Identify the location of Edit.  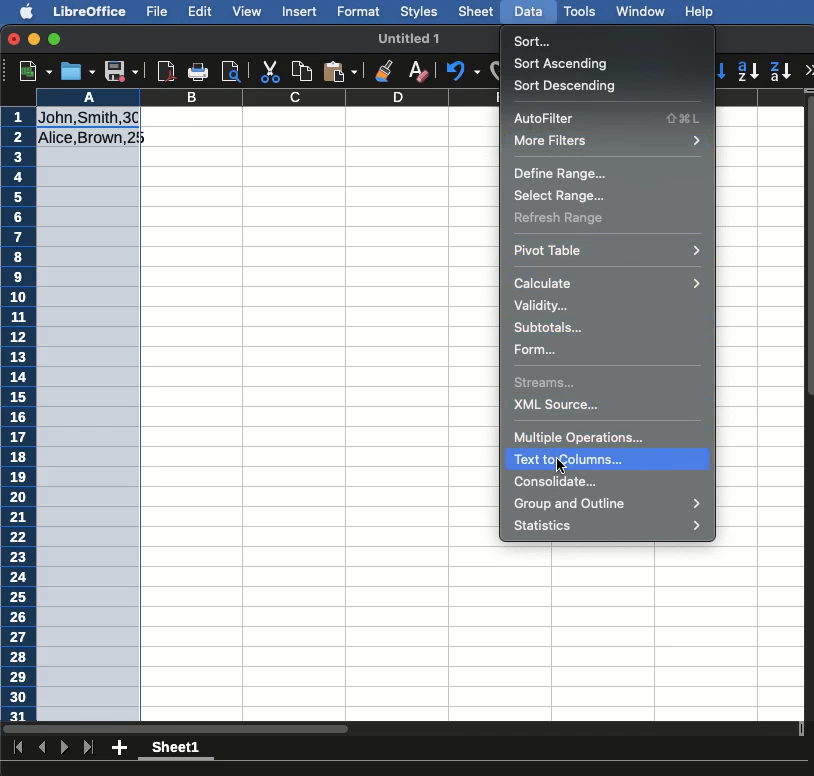
(200, 10).